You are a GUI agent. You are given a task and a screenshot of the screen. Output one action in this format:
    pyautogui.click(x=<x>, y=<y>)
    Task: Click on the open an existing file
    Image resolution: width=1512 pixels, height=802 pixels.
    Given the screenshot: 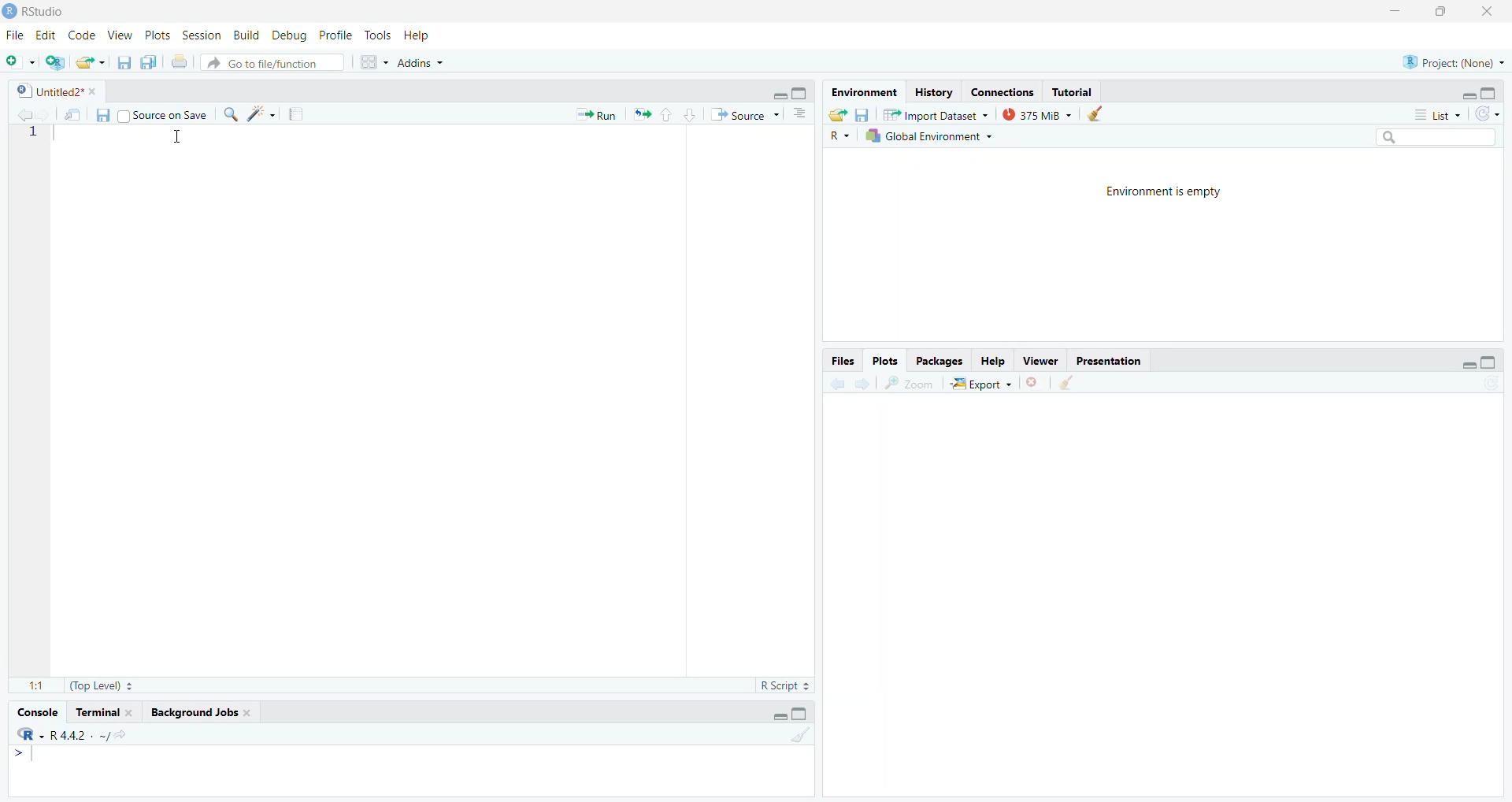 What is the action you would take?
    pyautogui.click(x=91, y=61)
    